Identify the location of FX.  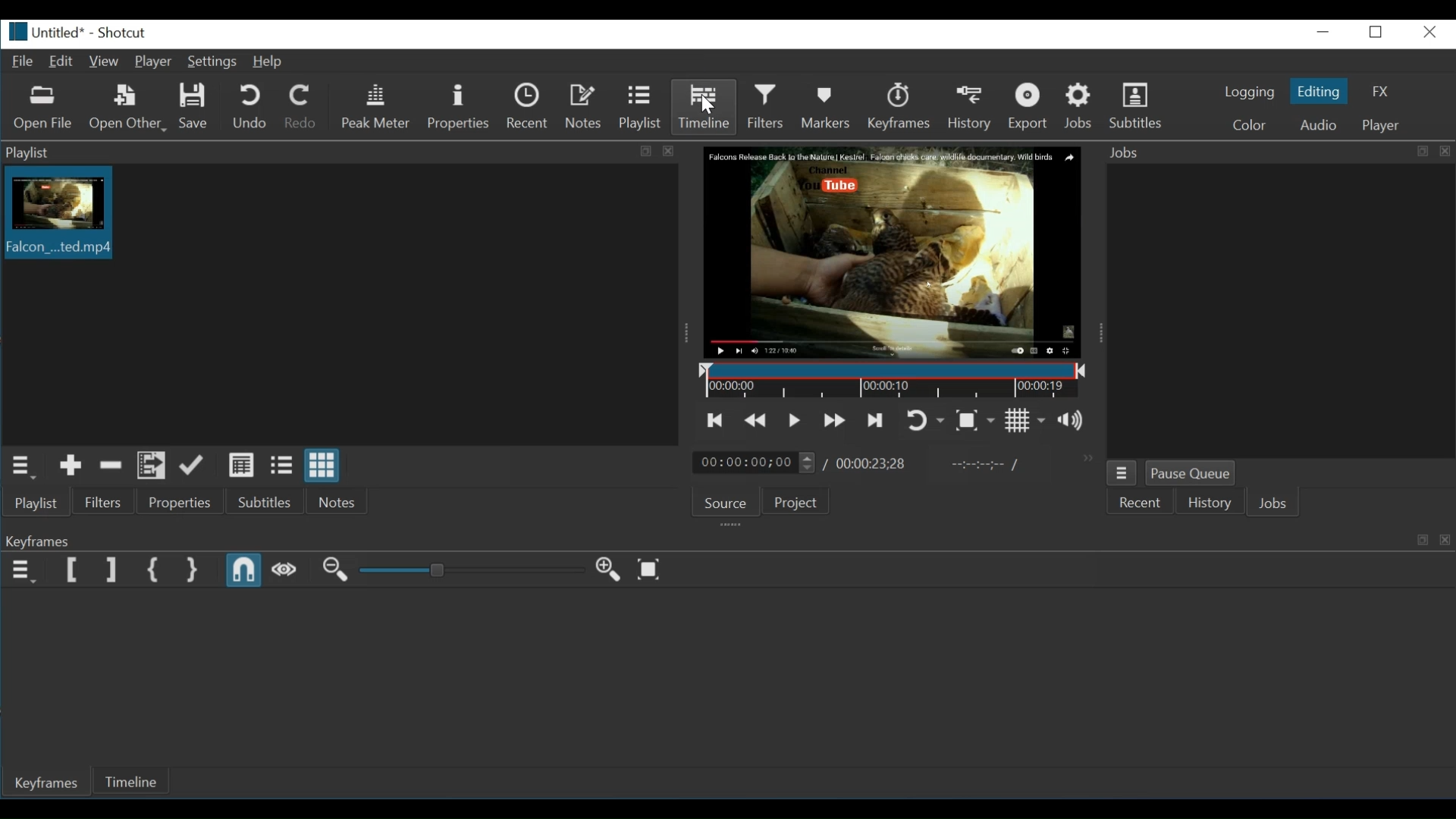
(1379, 91).